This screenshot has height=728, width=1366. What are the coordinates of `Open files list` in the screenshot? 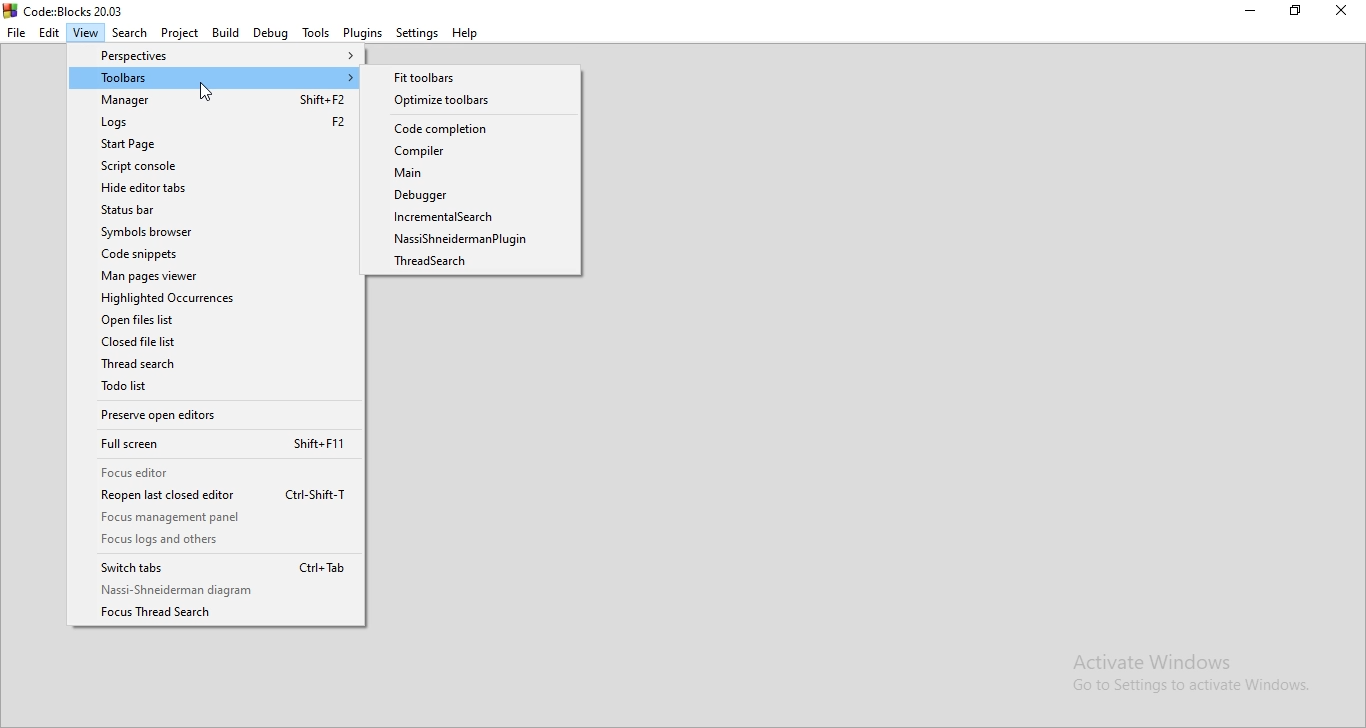 It's located at (214, 321).